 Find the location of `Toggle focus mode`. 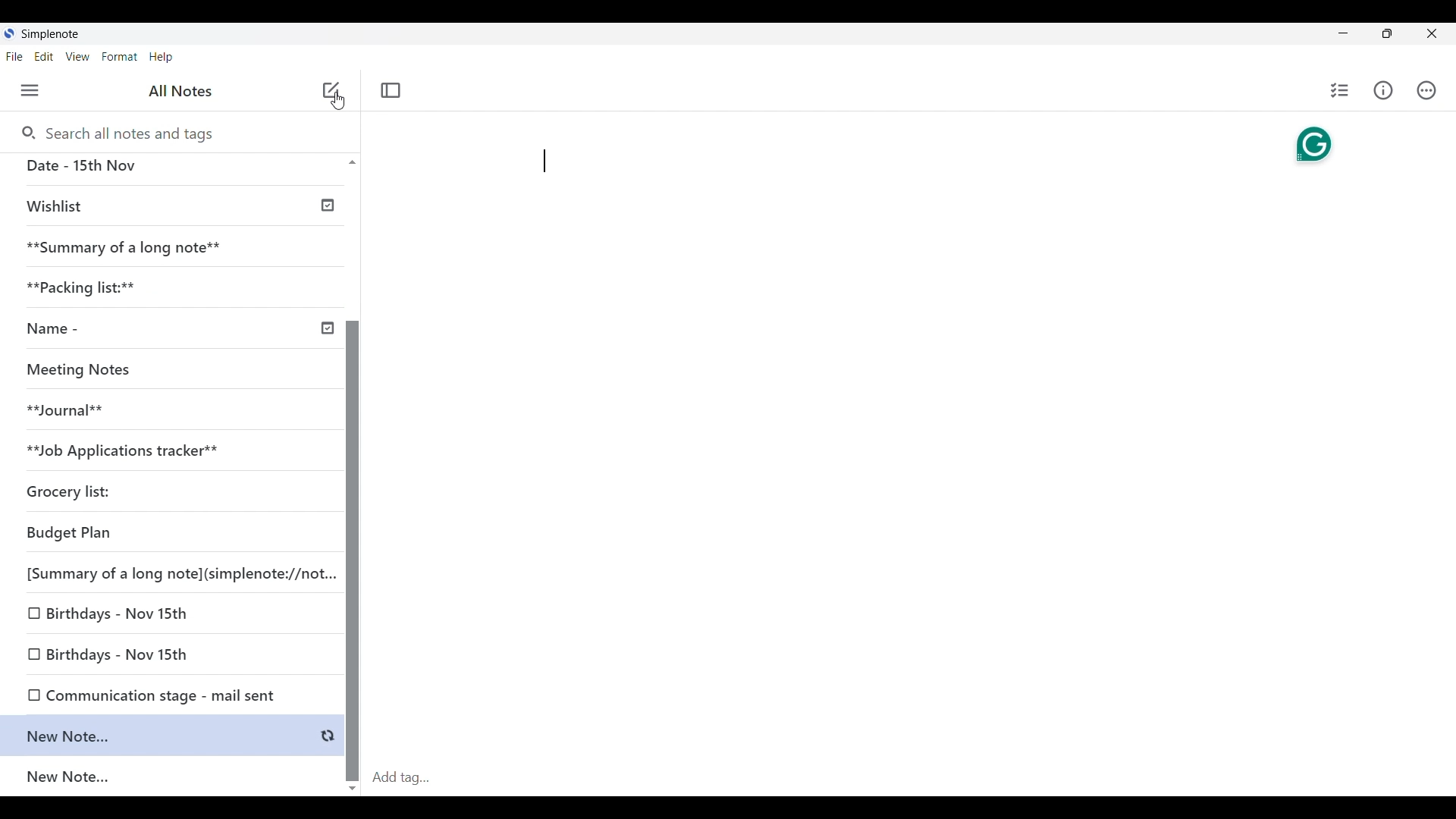

Toggle focus mode is located at coordinates (391, 90).